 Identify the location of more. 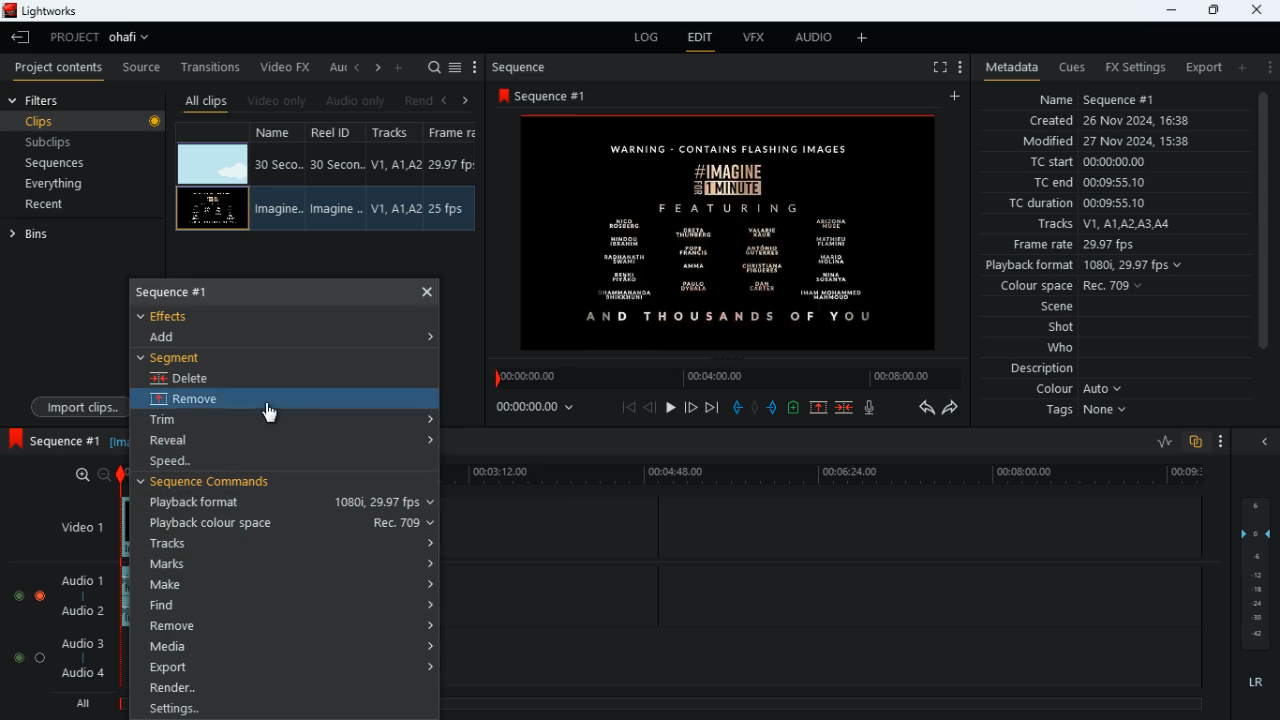
(478, 66).